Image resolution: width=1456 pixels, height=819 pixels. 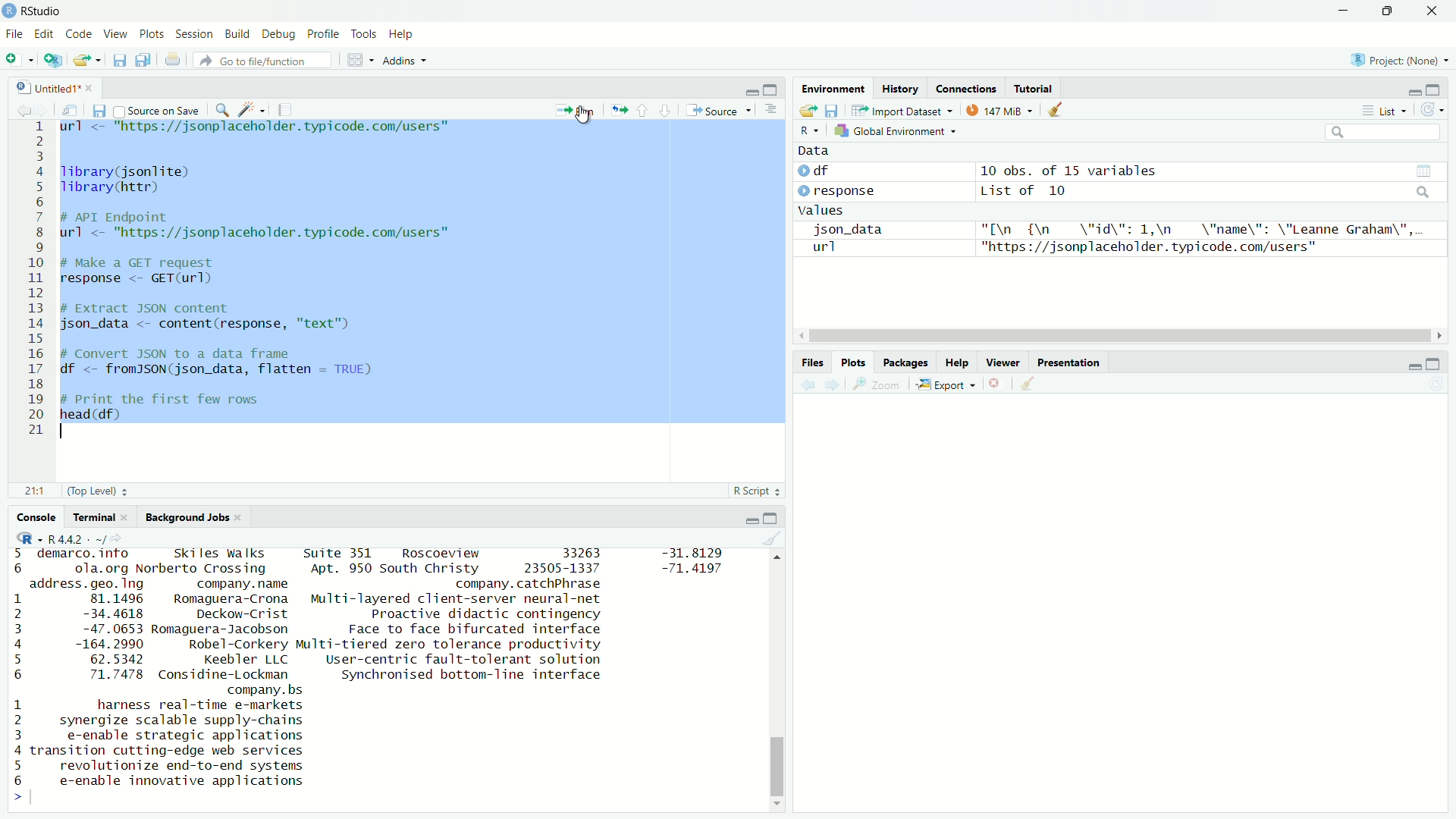 I want to click on RStudio, so click(x=33, y=11).